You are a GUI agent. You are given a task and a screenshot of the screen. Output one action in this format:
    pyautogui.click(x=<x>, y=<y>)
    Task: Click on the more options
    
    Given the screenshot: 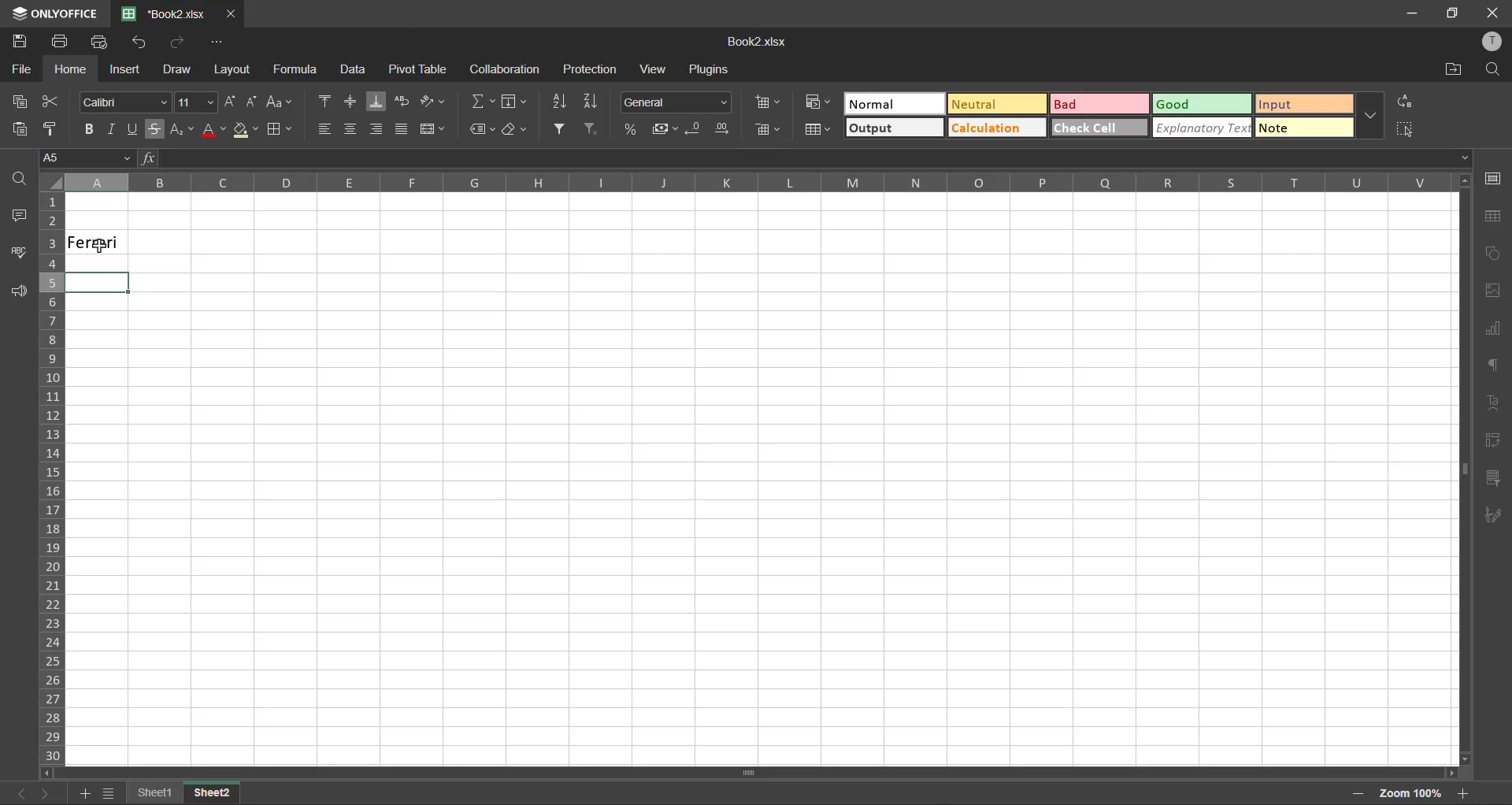 What is the action you would take?
    pyautogui.click(x=1373, y=121)
    